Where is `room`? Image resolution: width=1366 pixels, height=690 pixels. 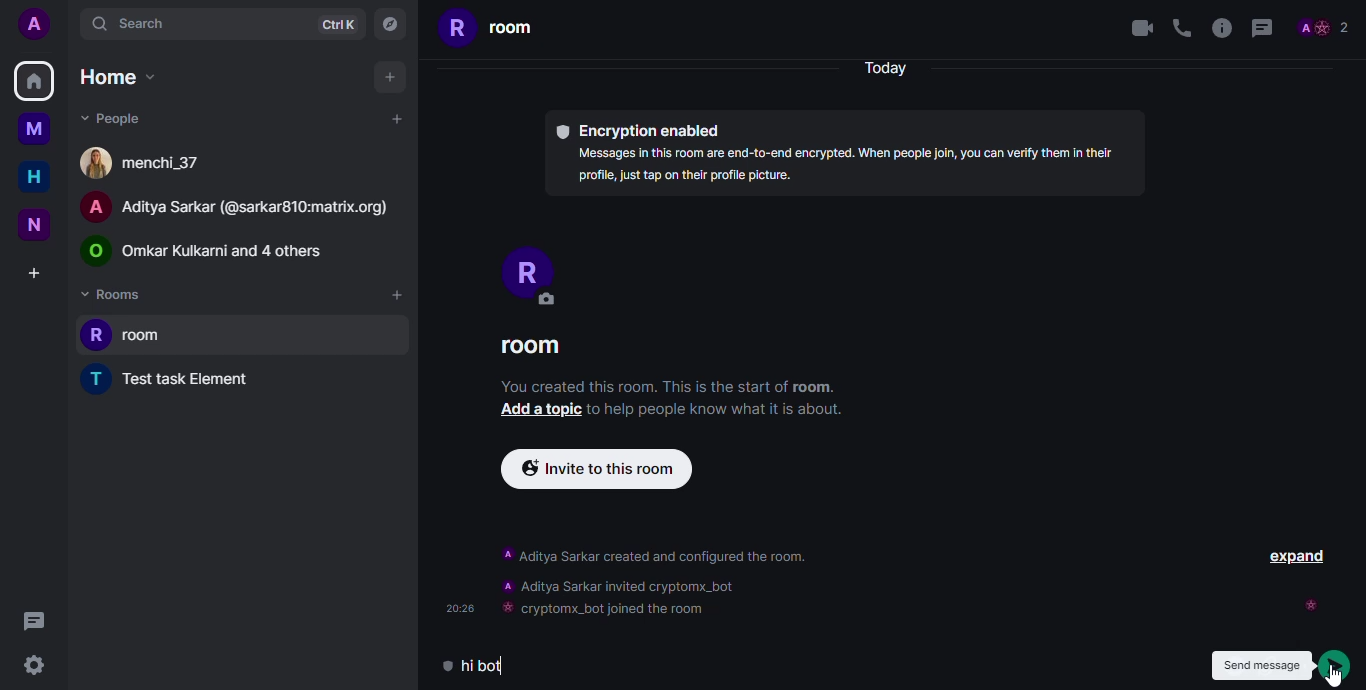 room is located at coordinates (504, 30).